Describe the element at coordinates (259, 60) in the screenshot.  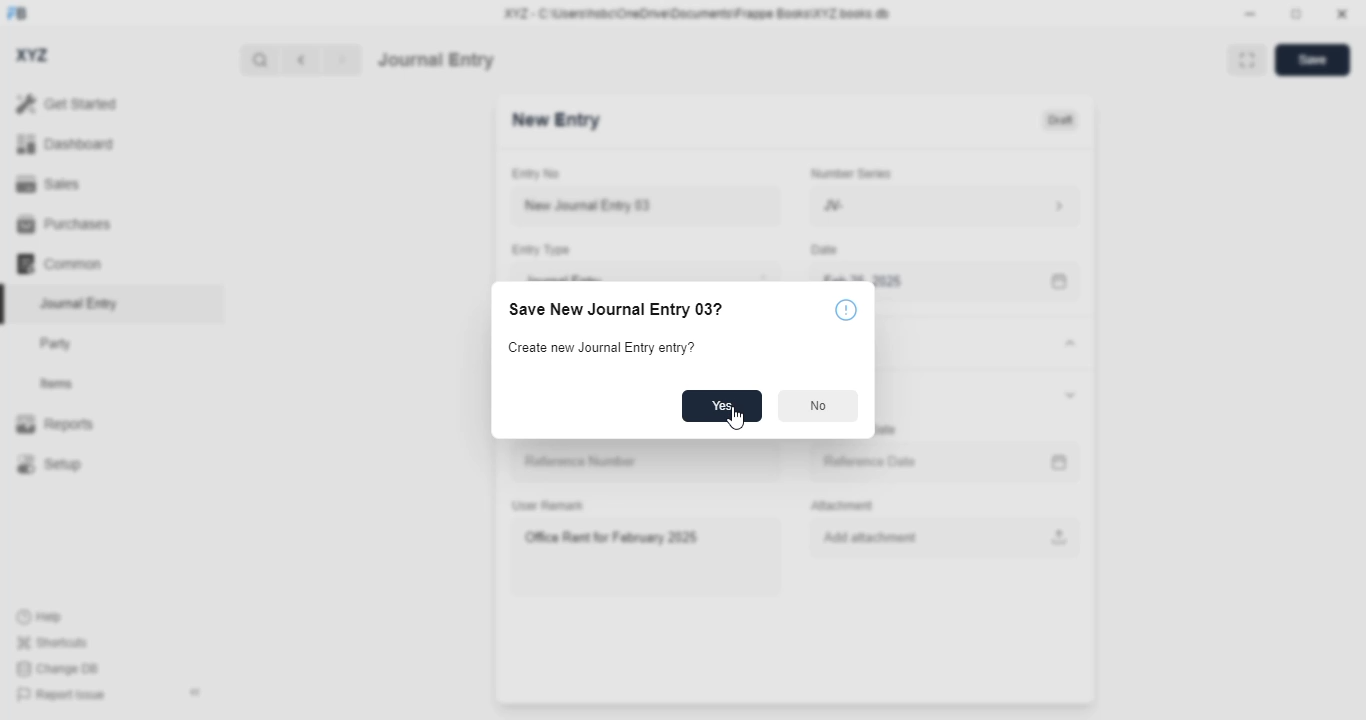
I see `search` at that location.